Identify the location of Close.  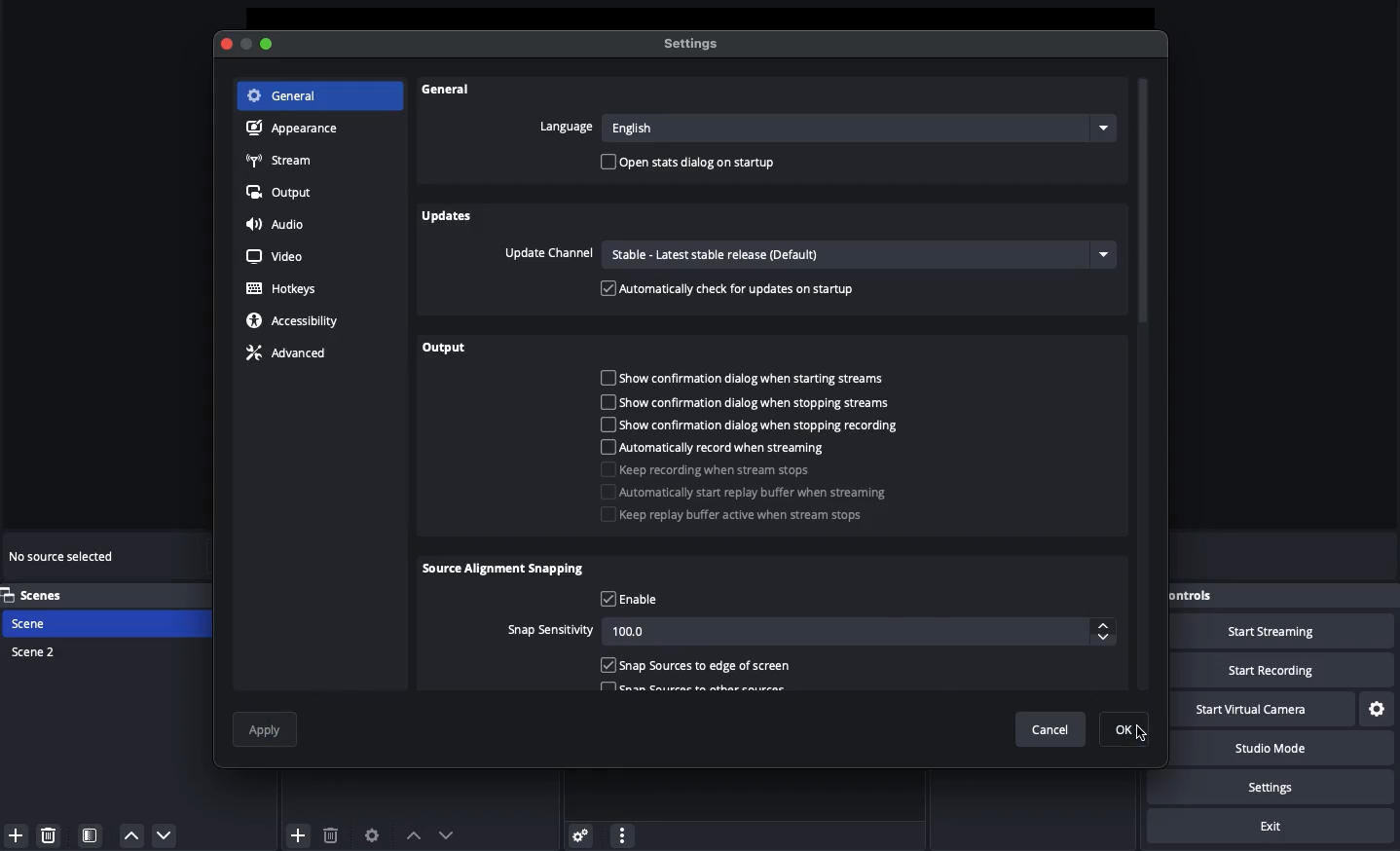
(229, 44).